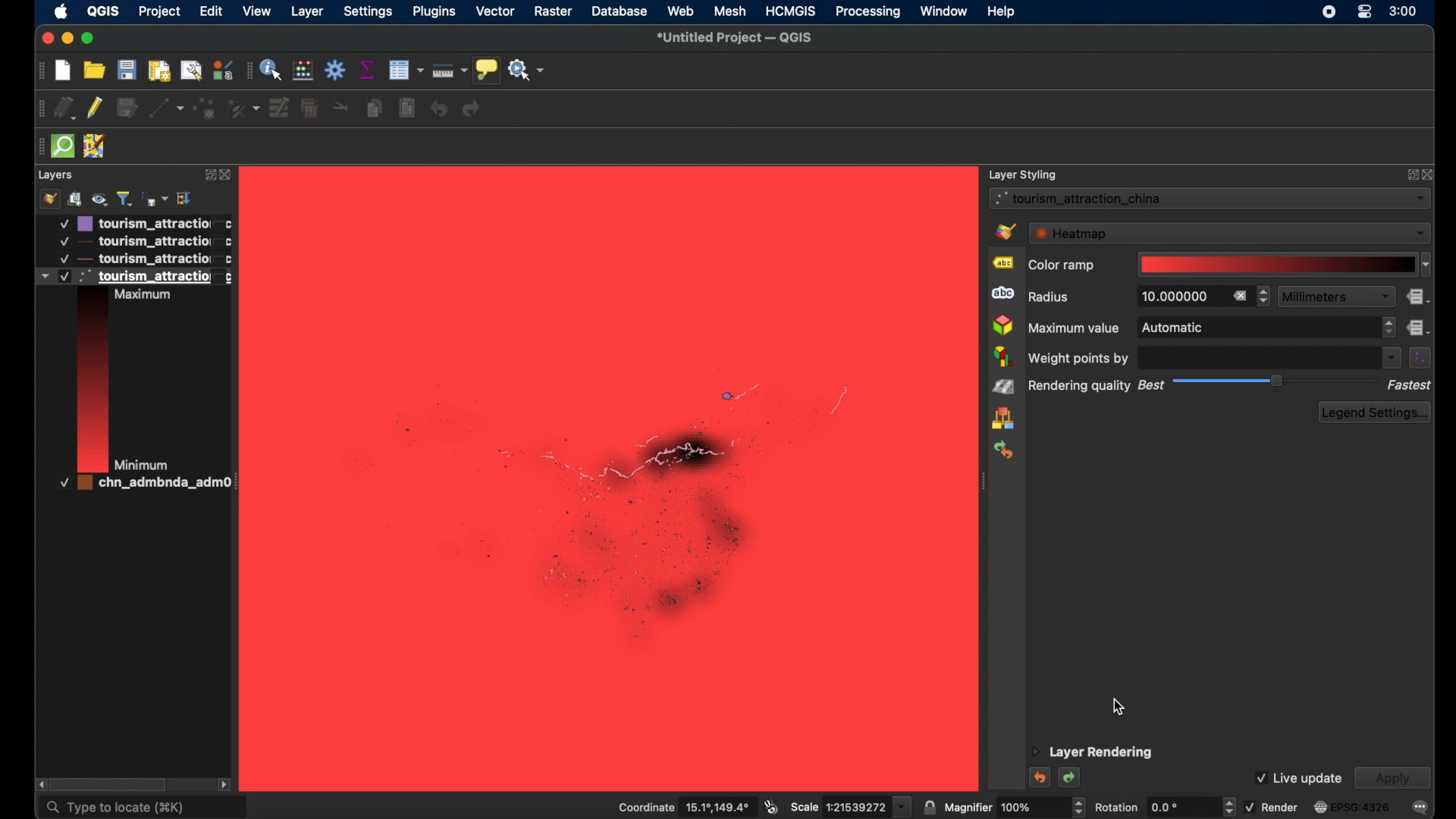 The width and height of the screenshot is (1456, 819). Describe the element at coordinates (65, 108) in the screenshot. I see `current edits` at that location.